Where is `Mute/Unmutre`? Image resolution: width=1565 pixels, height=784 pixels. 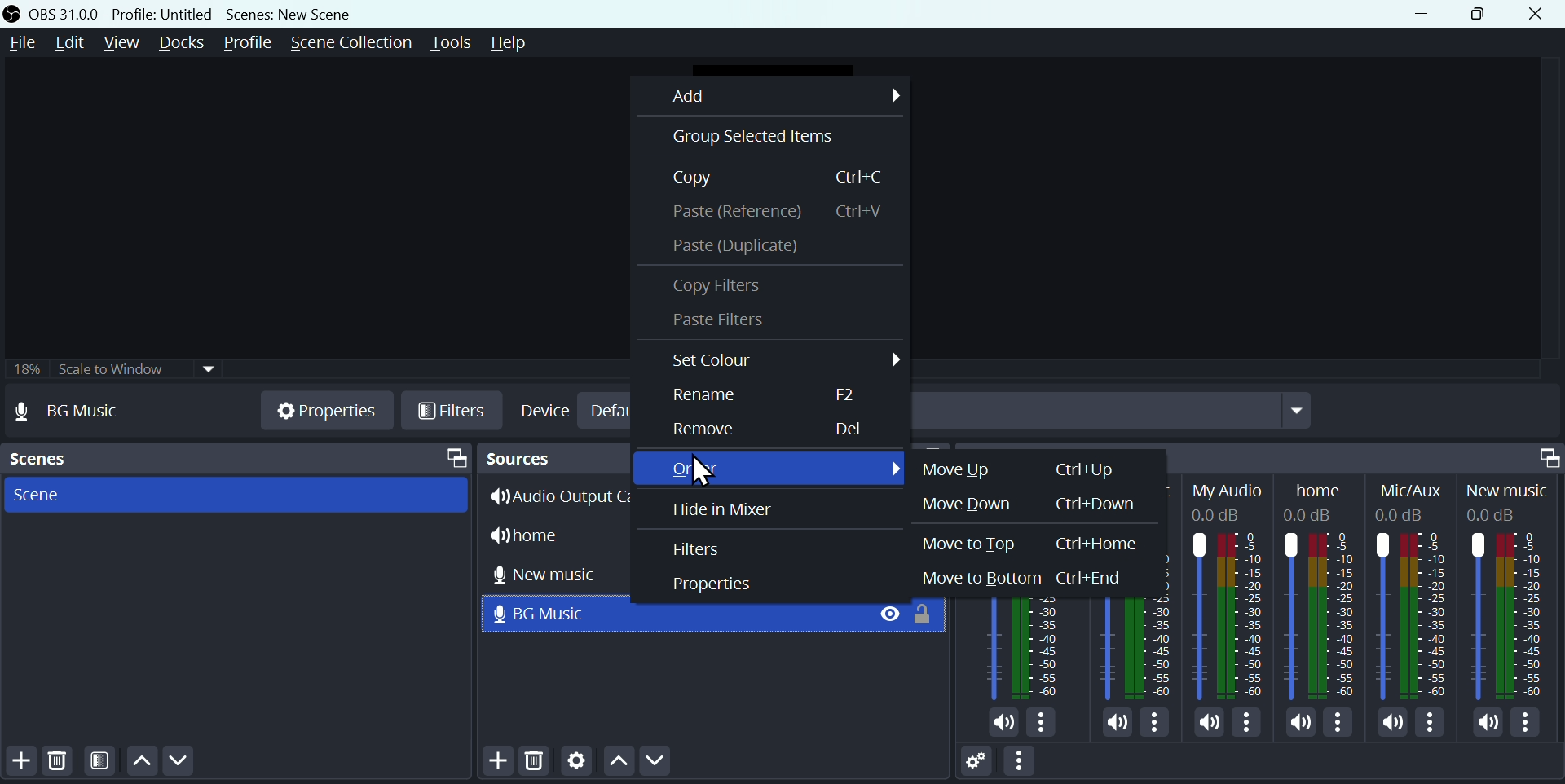
Mute/Unmutre is located at coordinates (1115, 719).